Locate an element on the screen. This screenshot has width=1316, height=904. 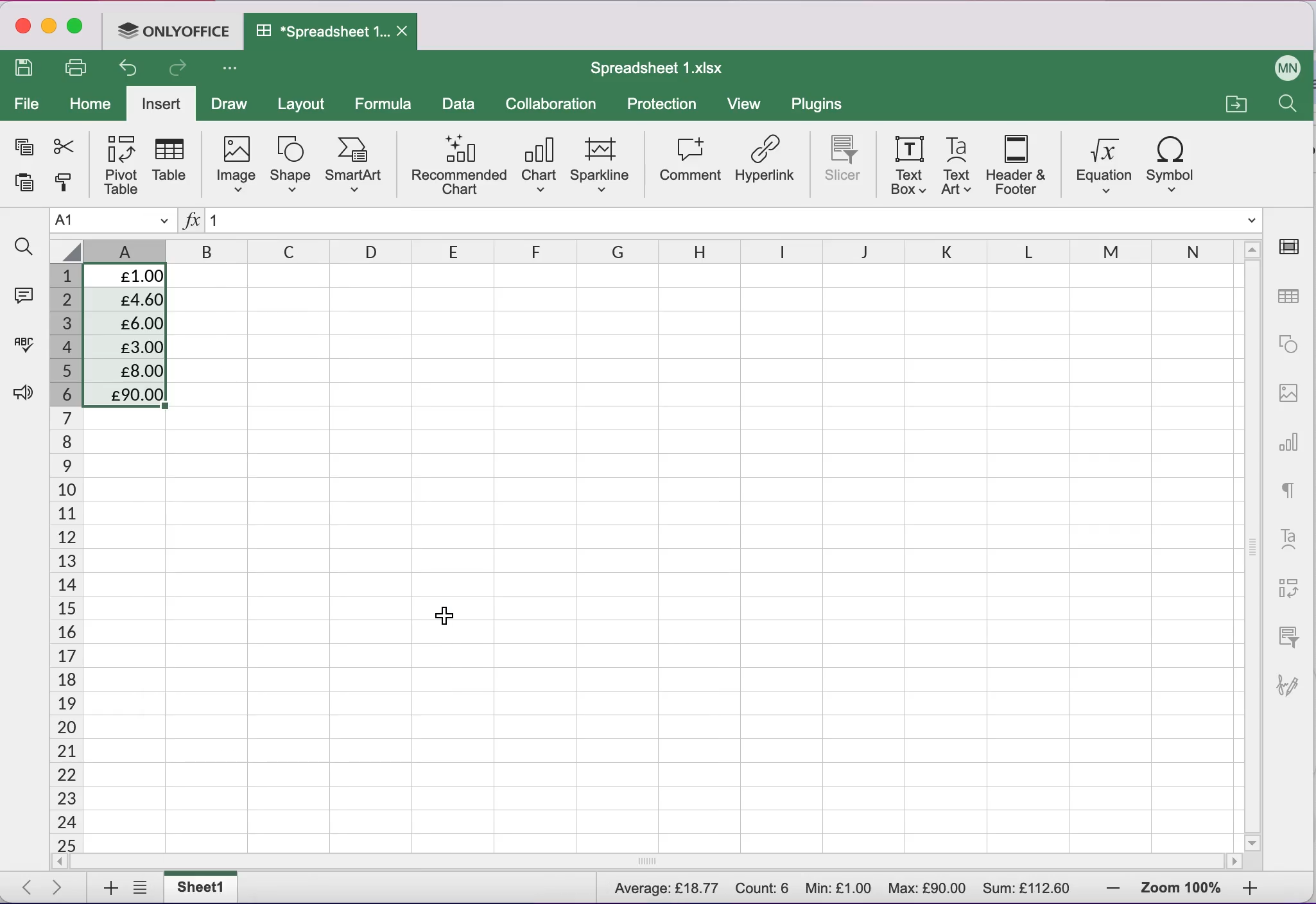
minimize is located at coordinates (50, 28).